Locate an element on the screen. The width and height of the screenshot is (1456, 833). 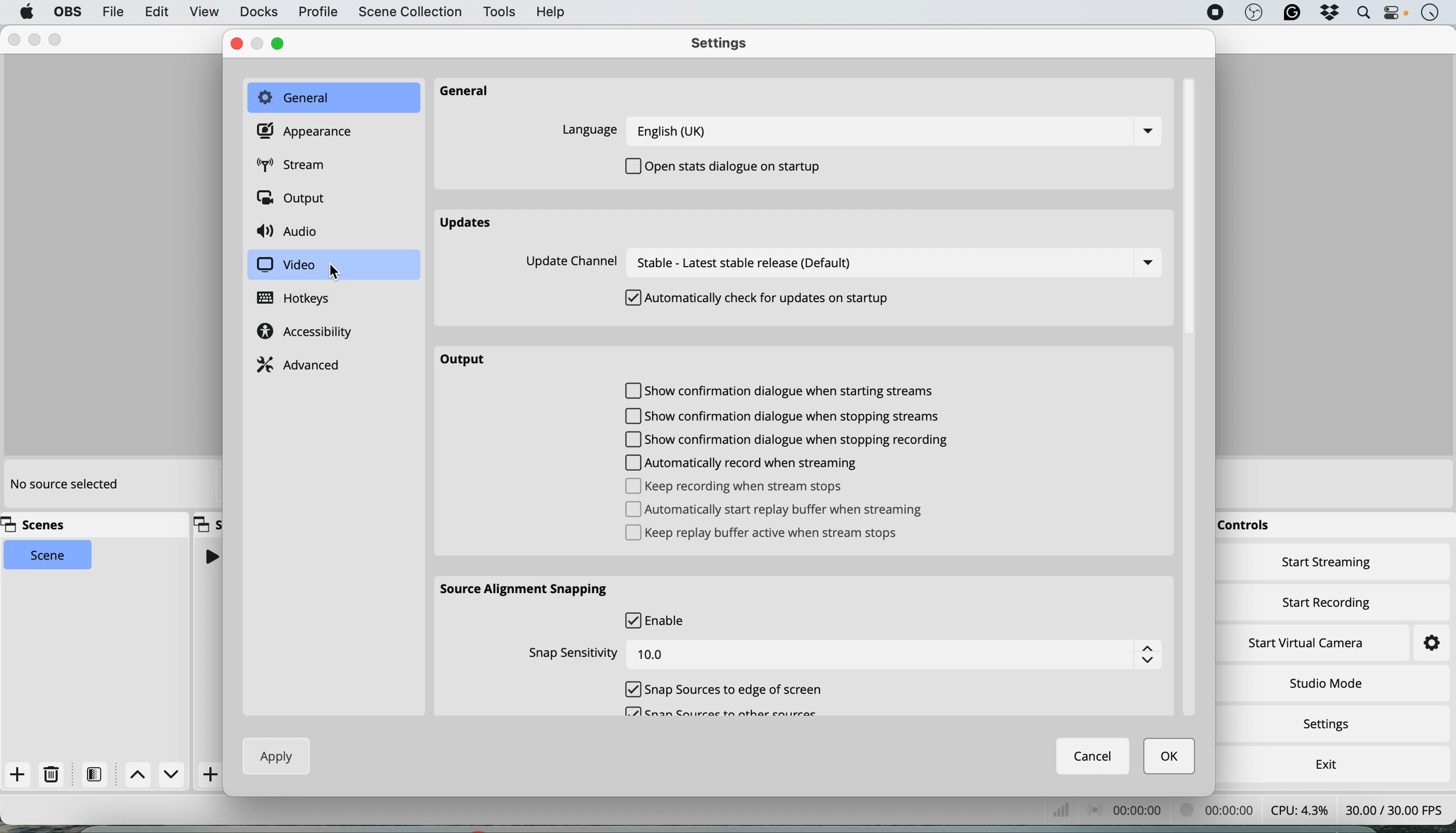
add scene is located at coordinates (18, 775).